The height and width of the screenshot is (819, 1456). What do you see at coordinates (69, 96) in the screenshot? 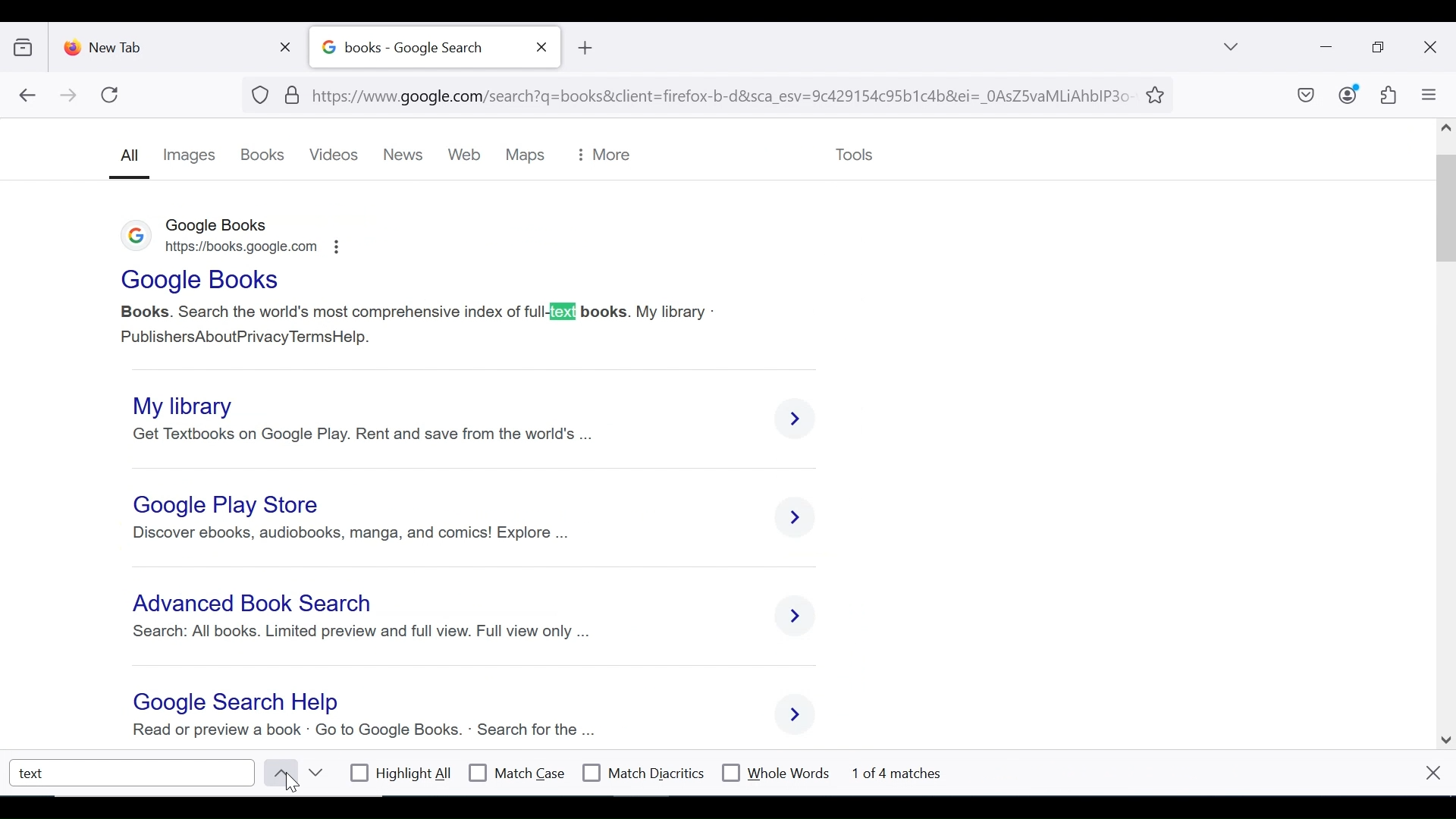
I see `forward` at bounding box center [69, 96].